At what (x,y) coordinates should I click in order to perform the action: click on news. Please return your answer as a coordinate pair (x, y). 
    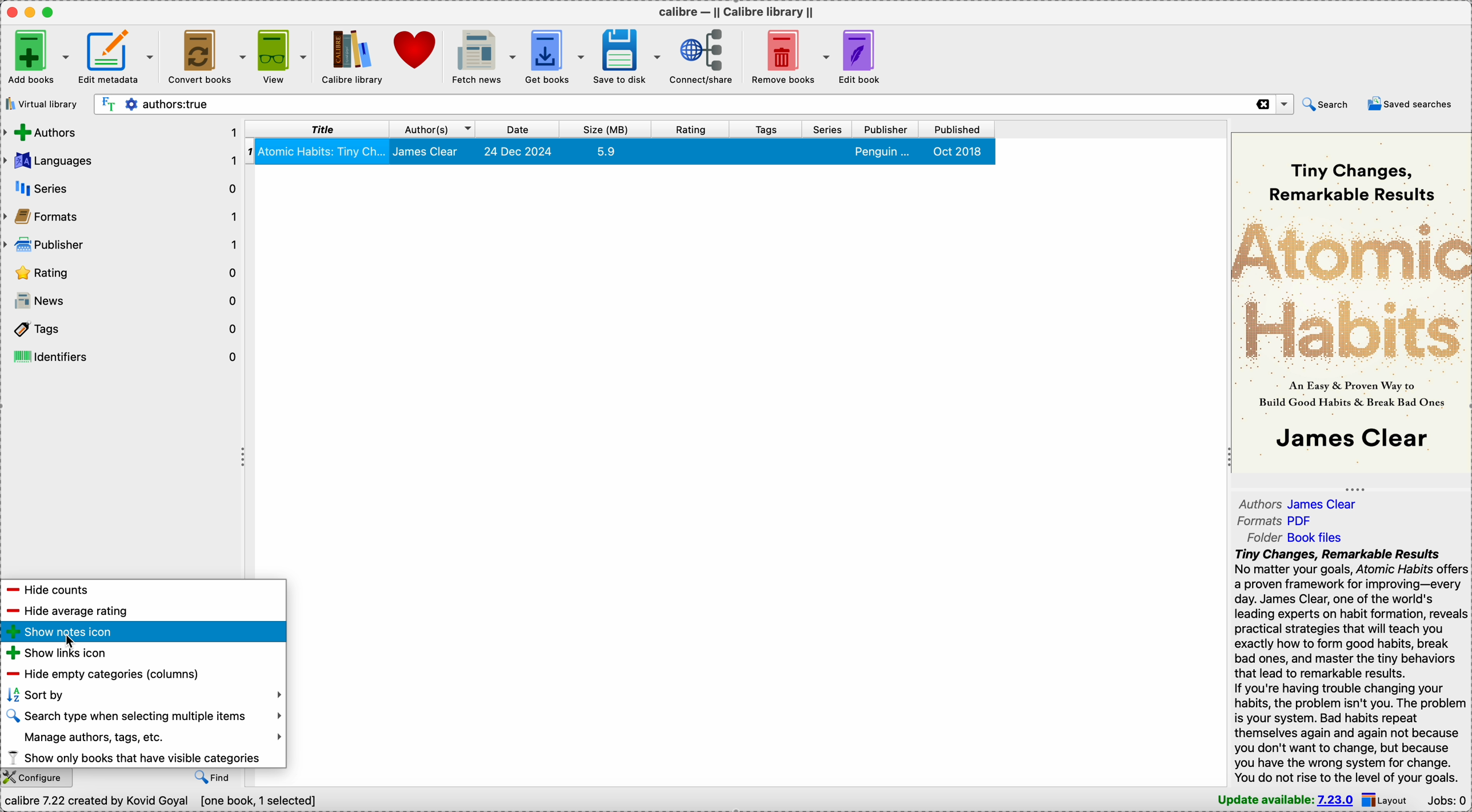
    Looking at the image, I should click on (122, 300).